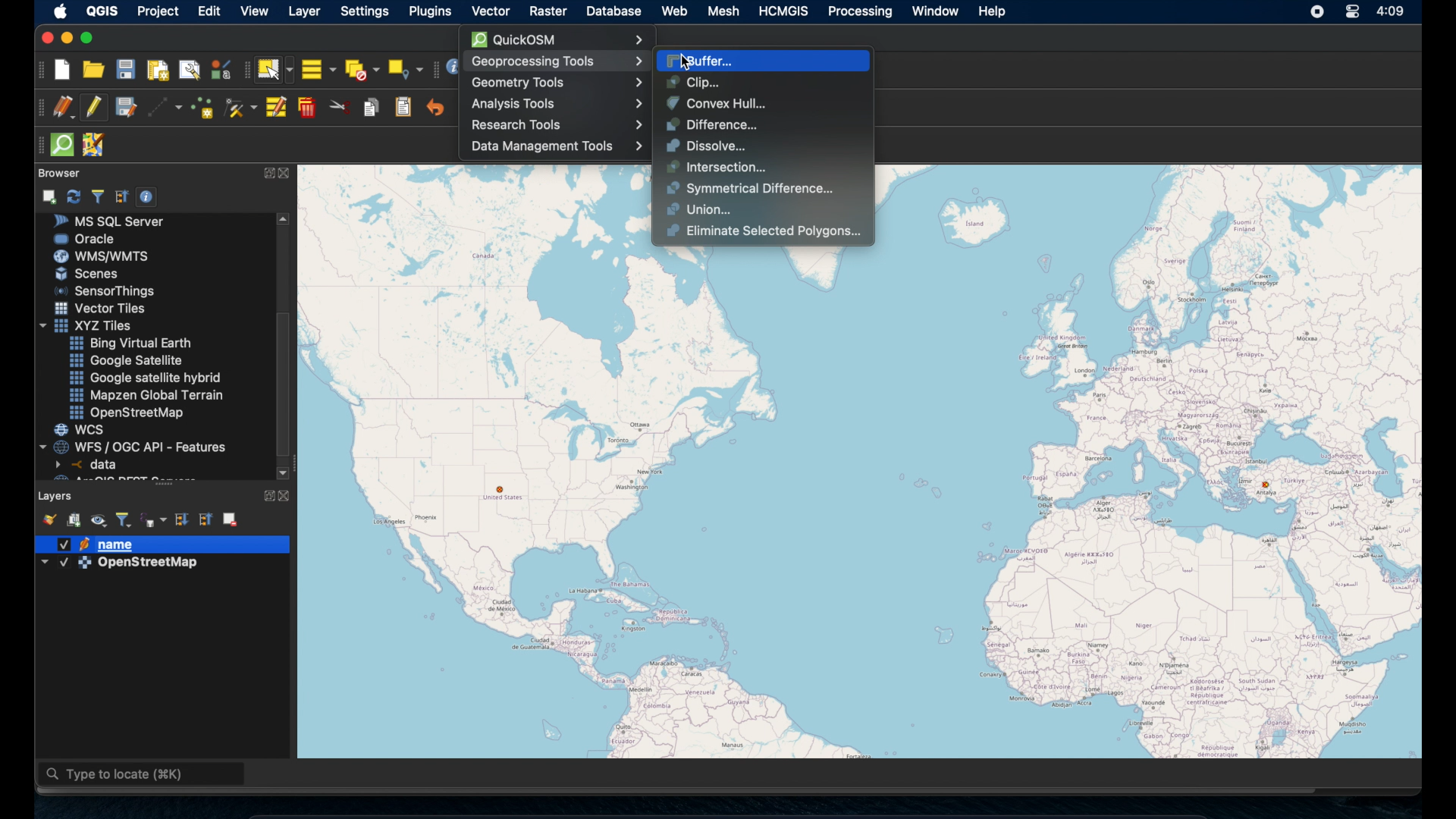  I want to click on refresh, so click(74, 195).